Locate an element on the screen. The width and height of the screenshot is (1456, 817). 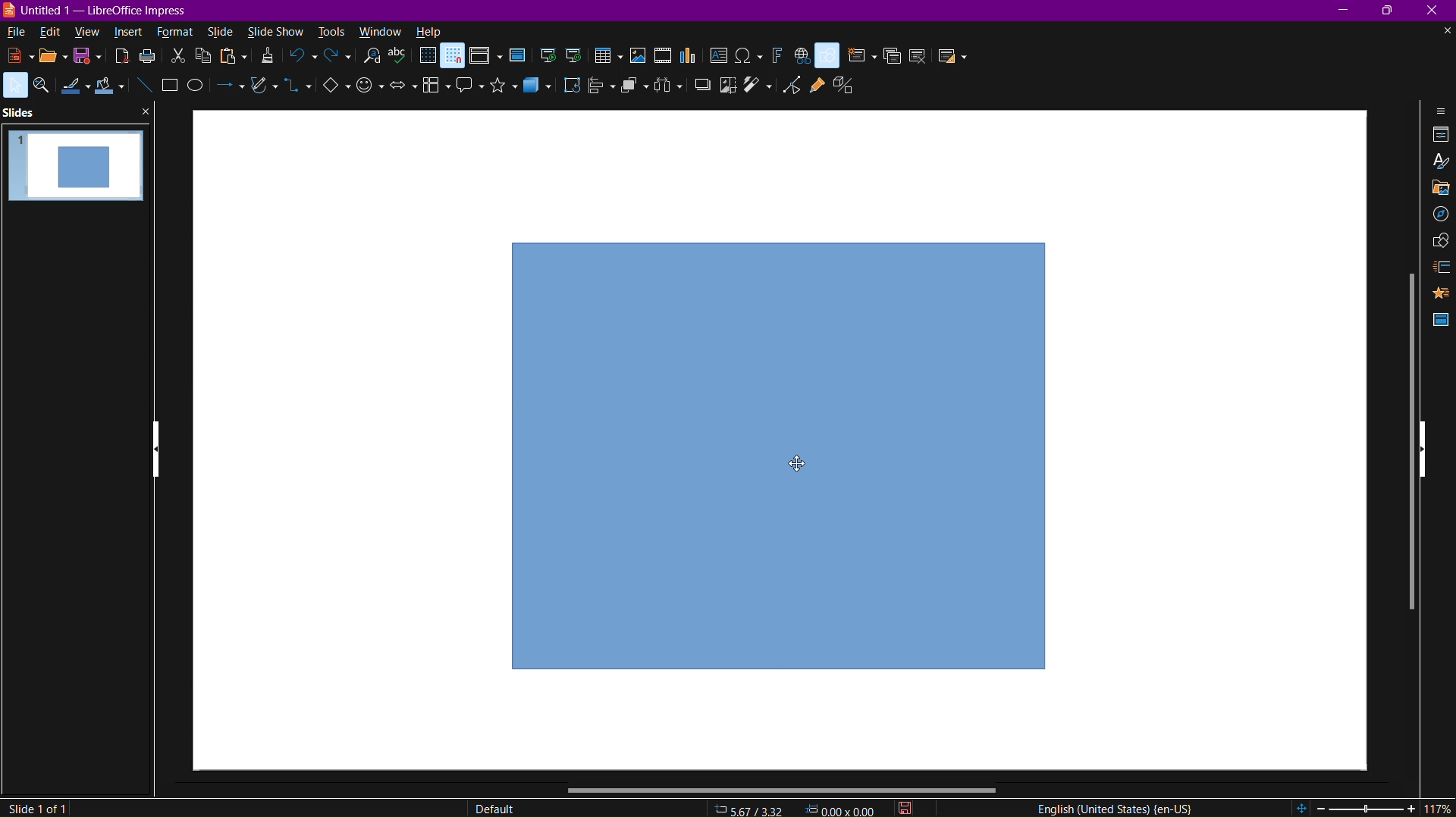
Rectangle is located at coordinates (170, 86).